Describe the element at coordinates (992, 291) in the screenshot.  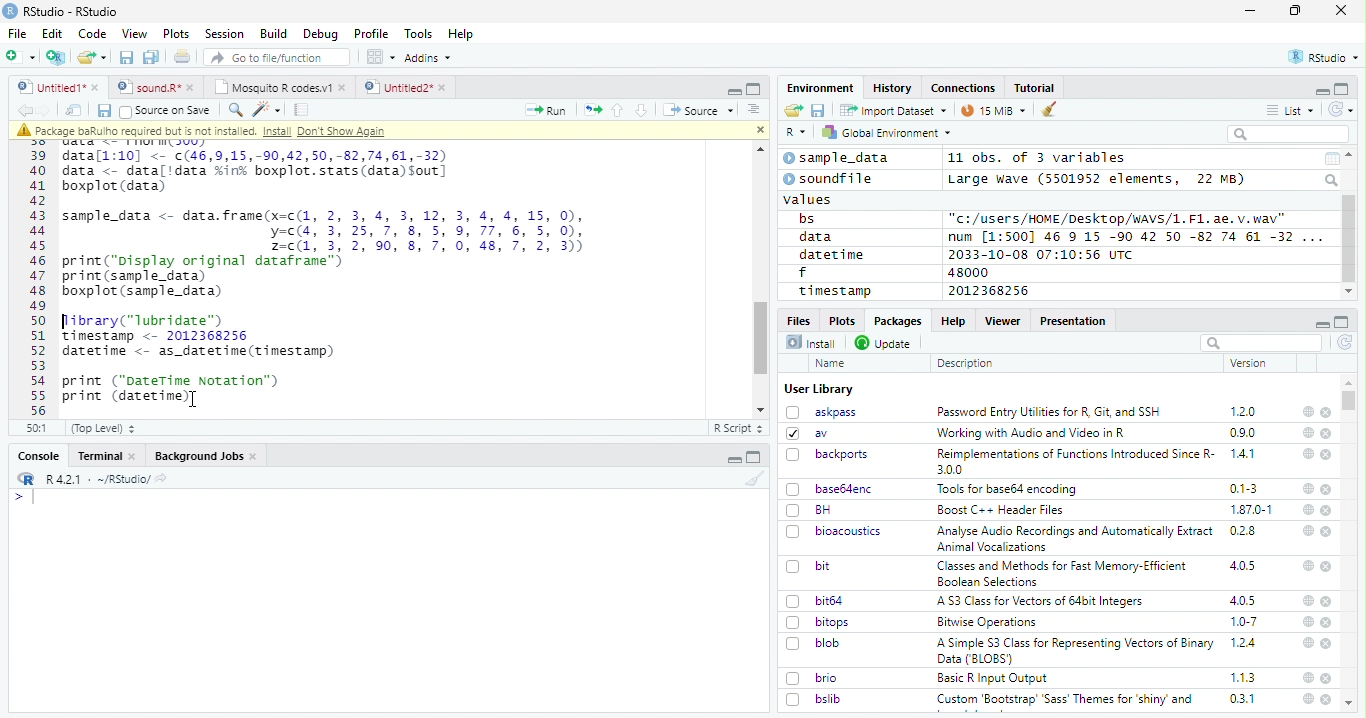
I see `2012368256` at that location.